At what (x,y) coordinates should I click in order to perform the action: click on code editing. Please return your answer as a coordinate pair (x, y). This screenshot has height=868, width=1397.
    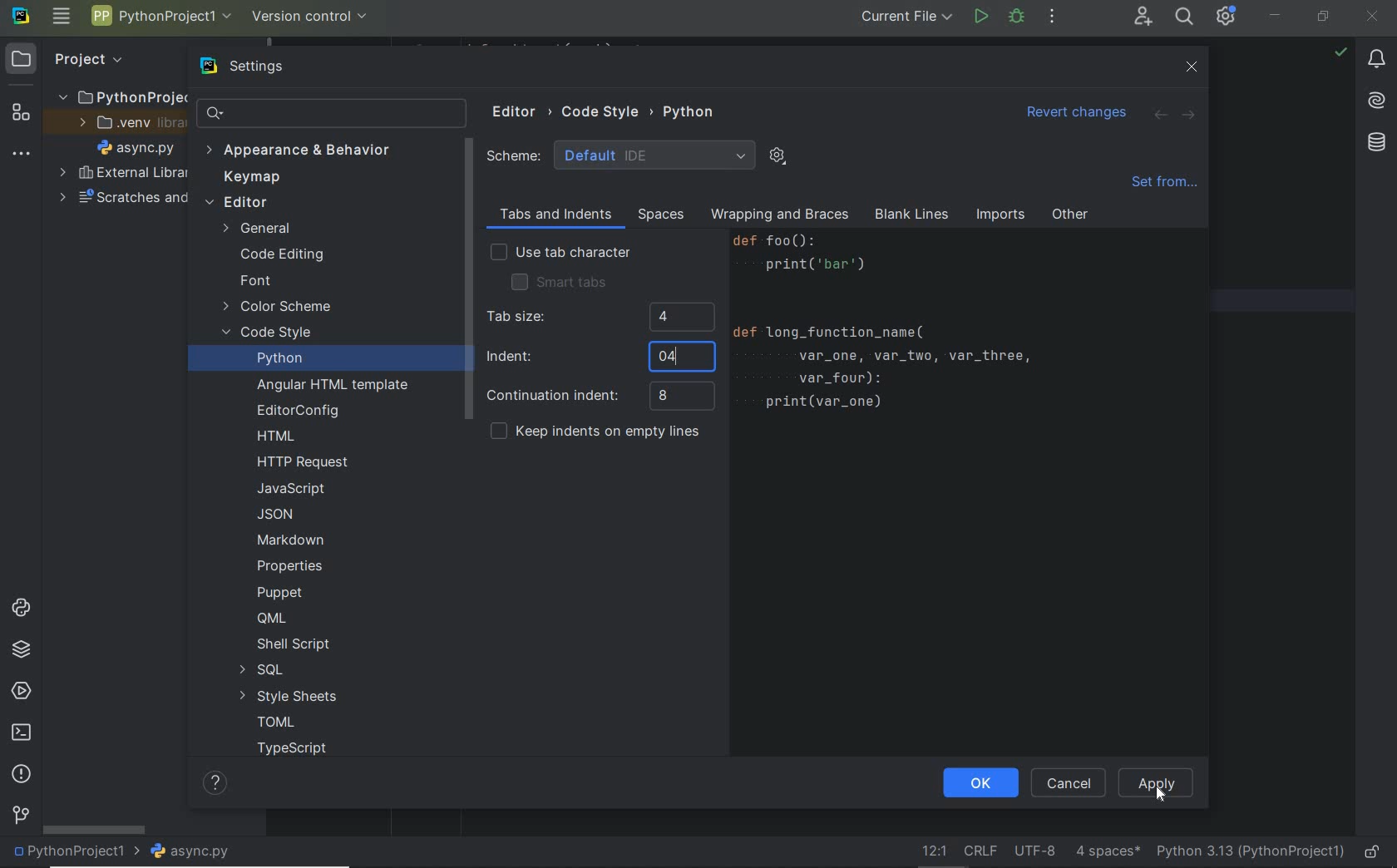
    Looking at the image, I should click on (281, 256).